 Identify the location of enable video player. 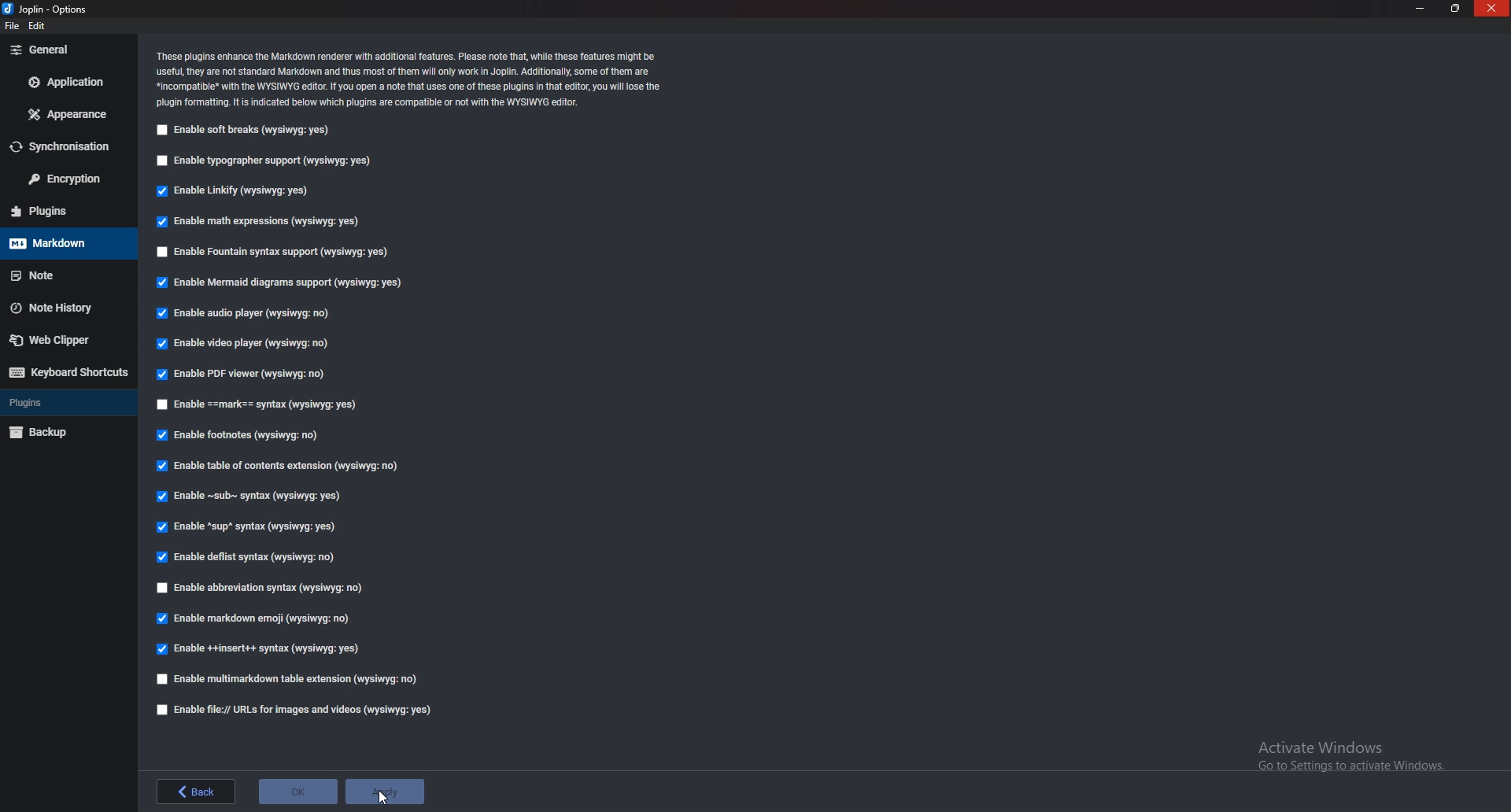
(249, 345).